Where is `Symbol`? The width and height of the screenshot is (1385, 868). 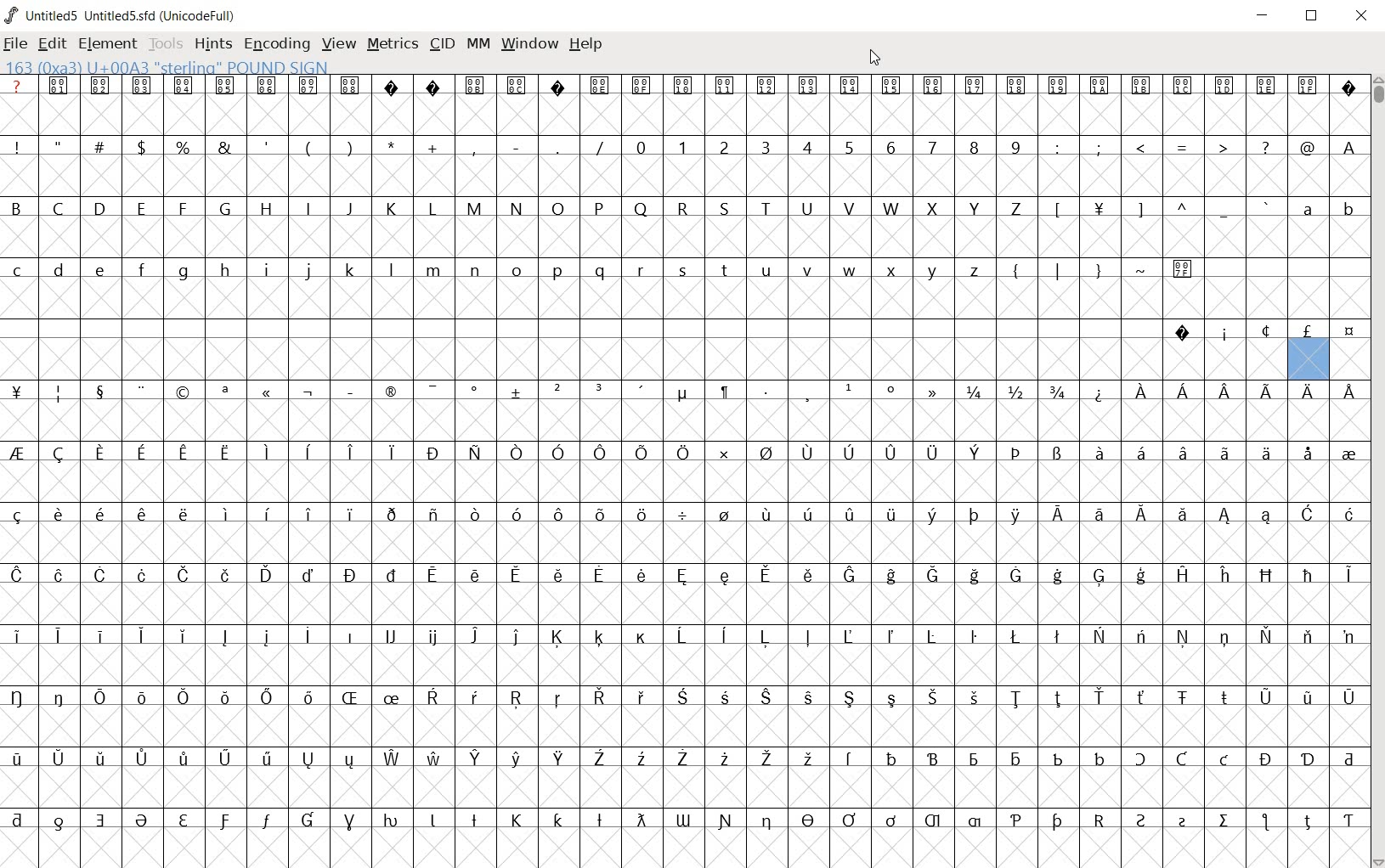 Symbol is located at coordinates (1263, 697).